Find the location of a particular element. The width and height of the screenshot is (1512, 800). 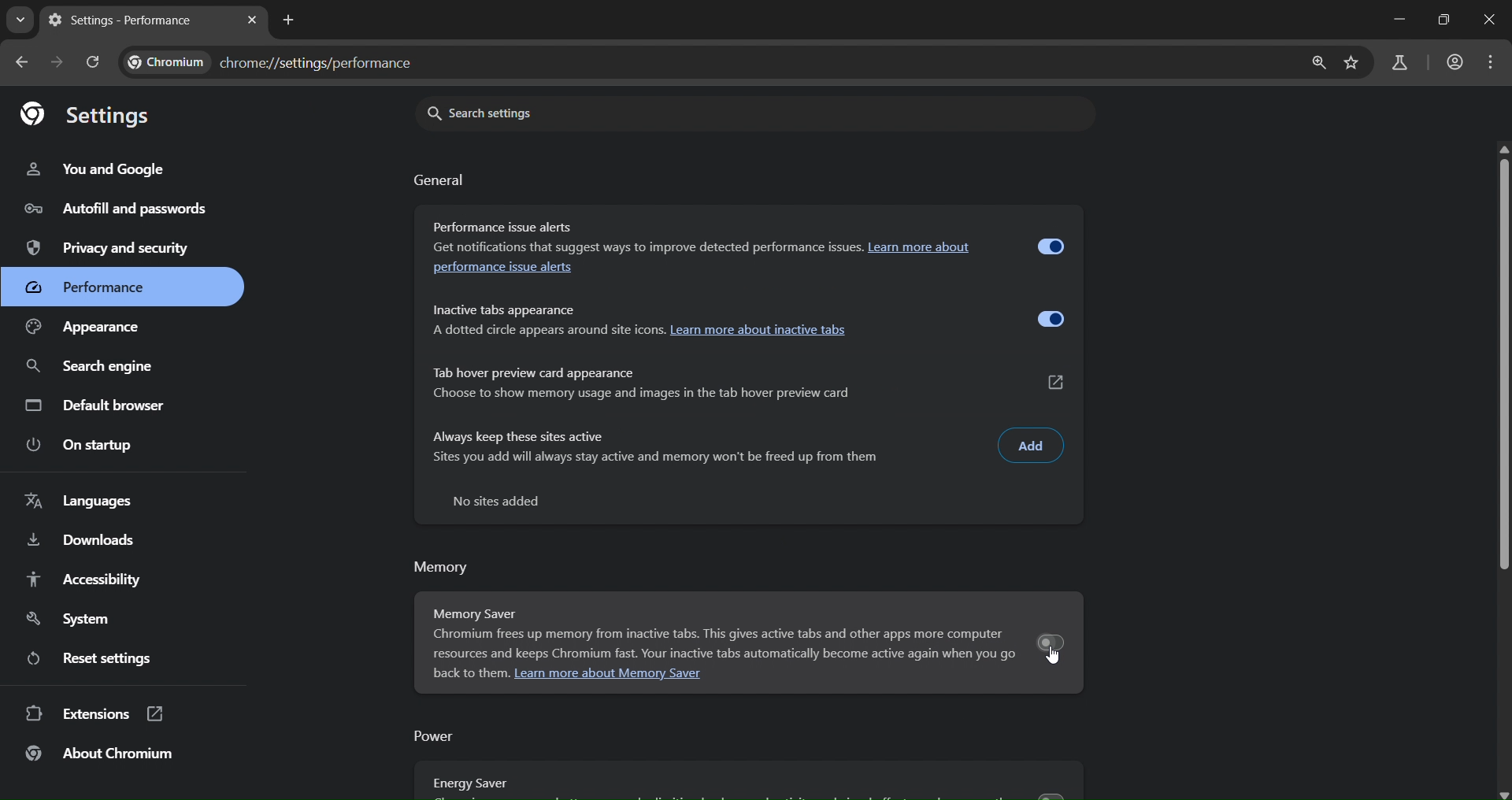

search tabs is located at coordinates (21, 20).